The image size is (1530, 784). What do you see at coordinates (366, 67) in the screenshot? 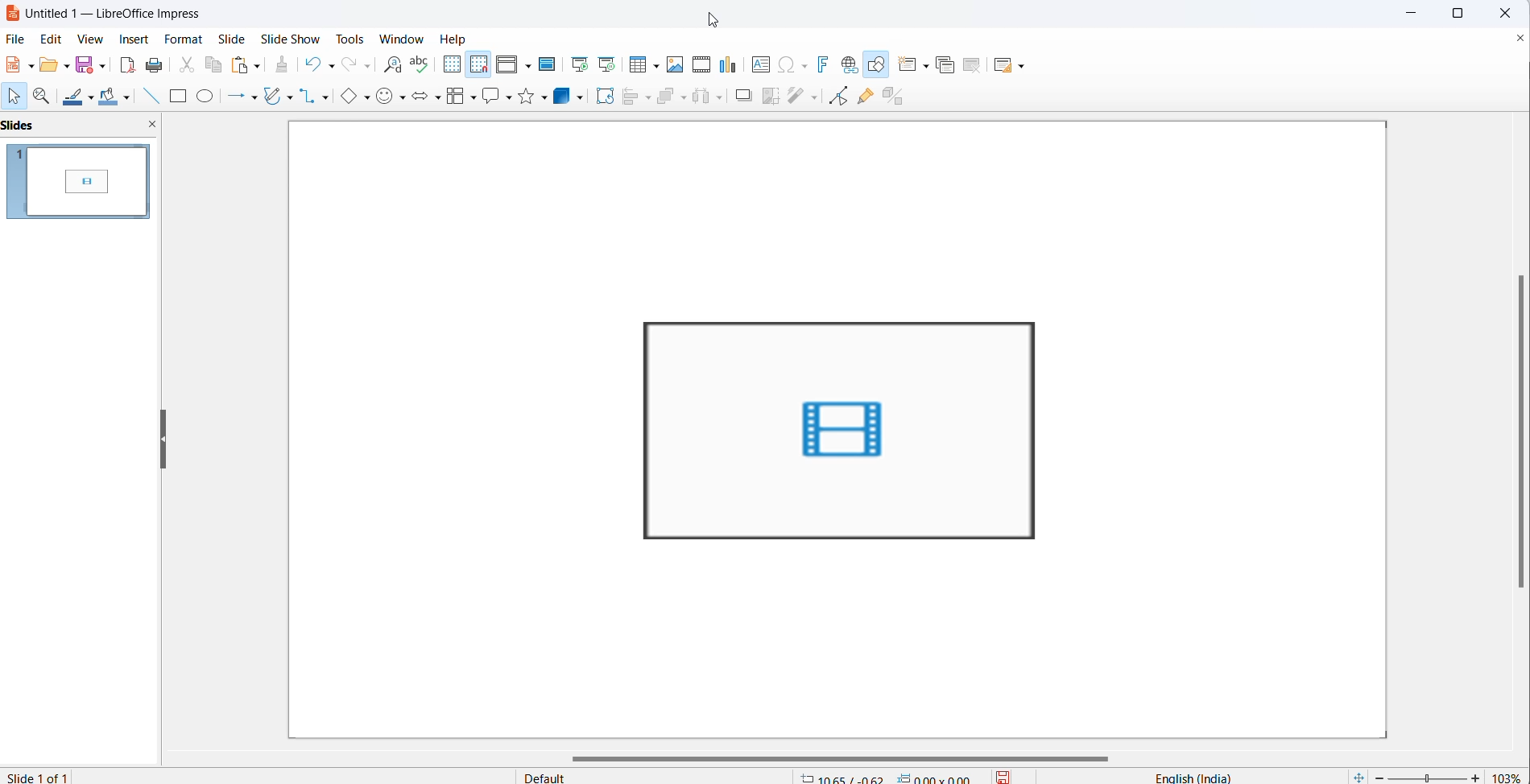
I see `redo options` at bounding box center [366, 67].